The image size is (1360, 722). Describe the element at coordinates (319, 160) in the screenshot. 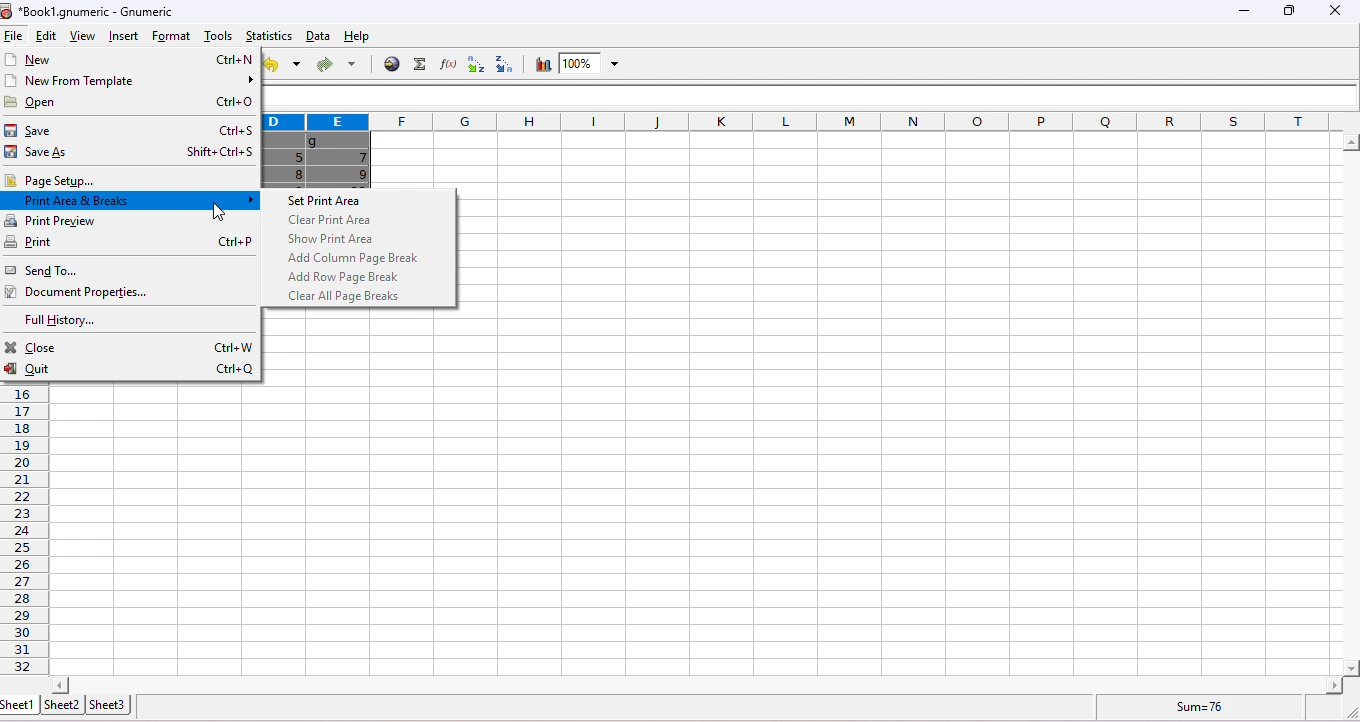

I see `dragged` at that location.